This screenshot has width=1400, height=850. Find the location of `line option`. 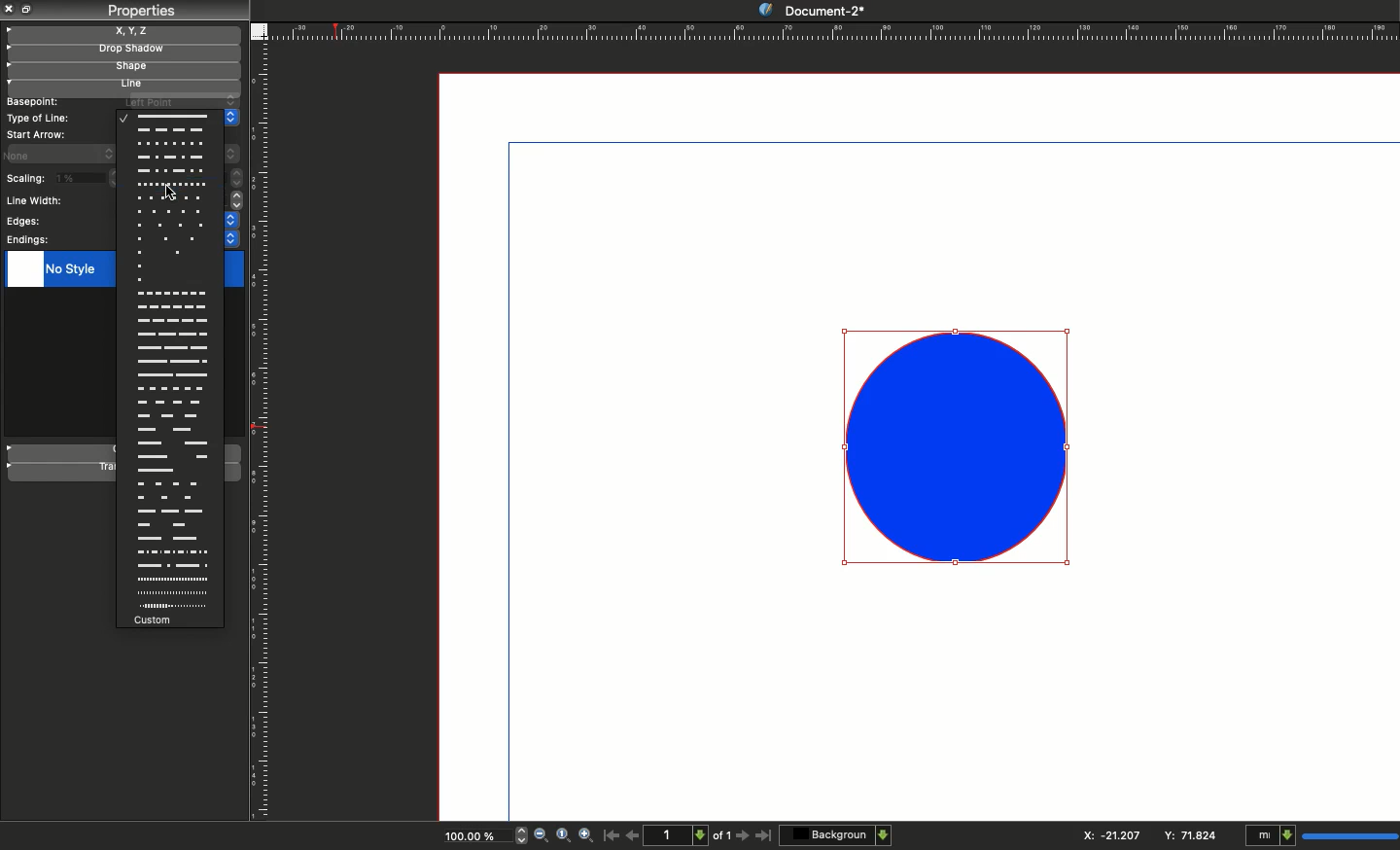

line option is located at coordinates (169, 457).